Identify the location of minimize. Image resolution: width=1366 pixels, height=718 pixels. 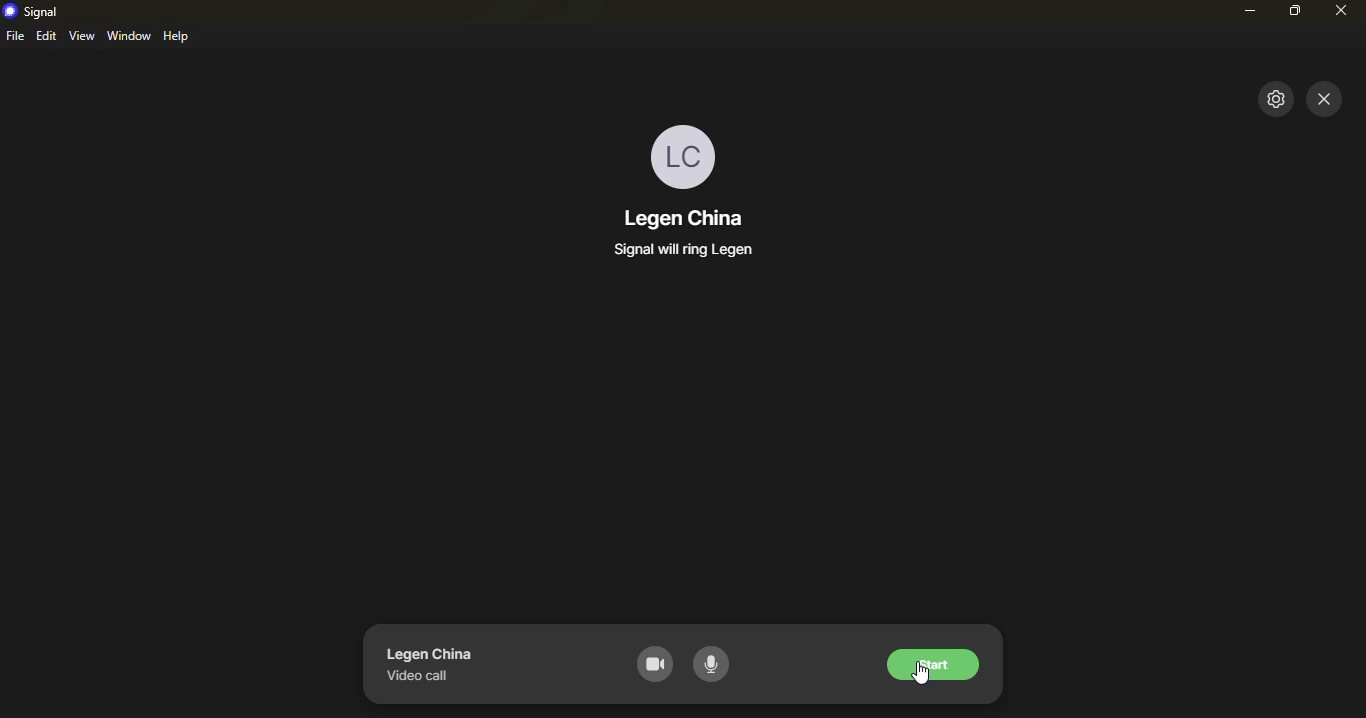
(1244, 10).